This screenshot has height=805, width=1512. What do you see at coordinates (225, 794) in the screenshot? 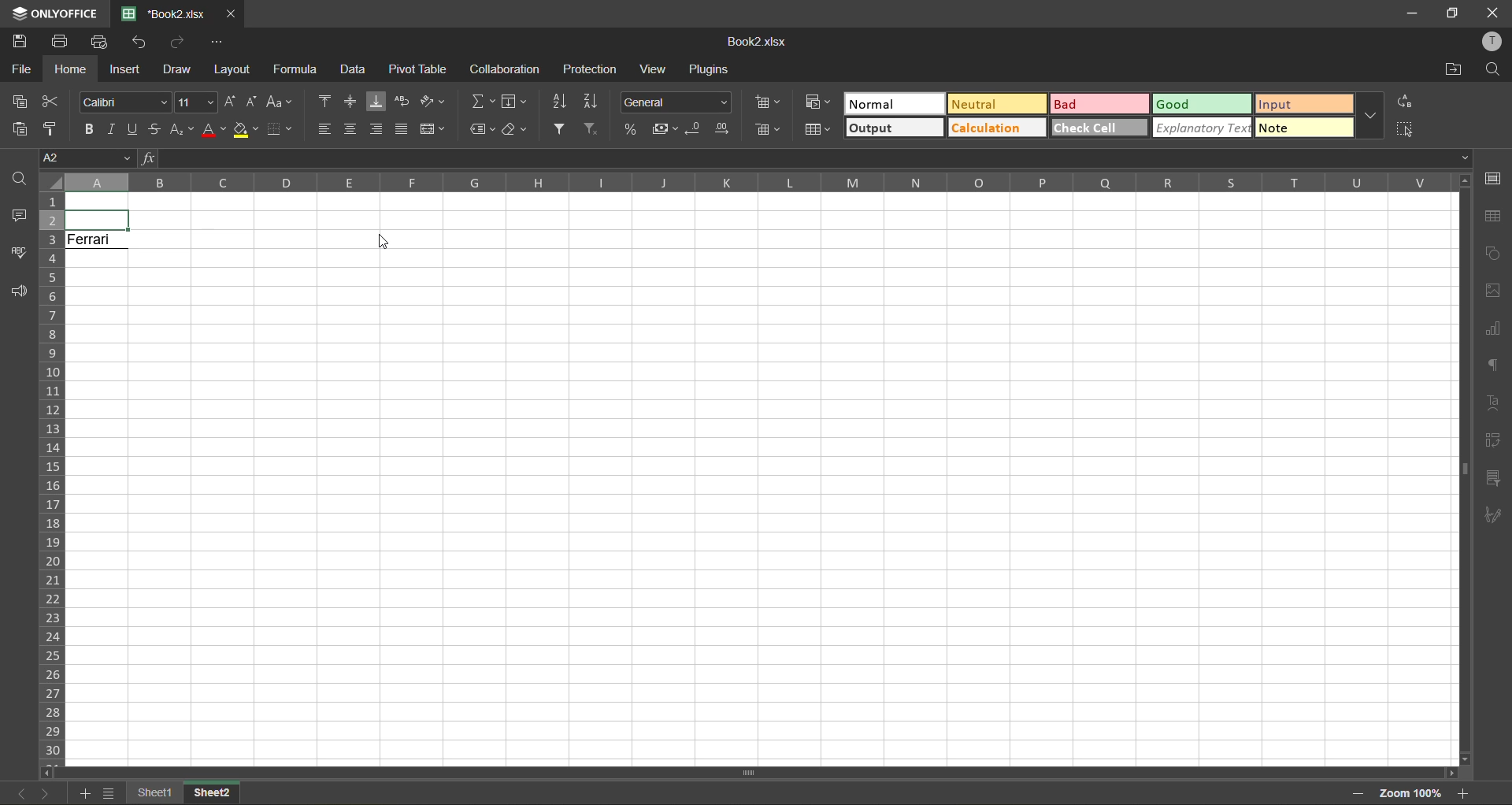
I see `Sheet 2` at bounding box center [225, 794].